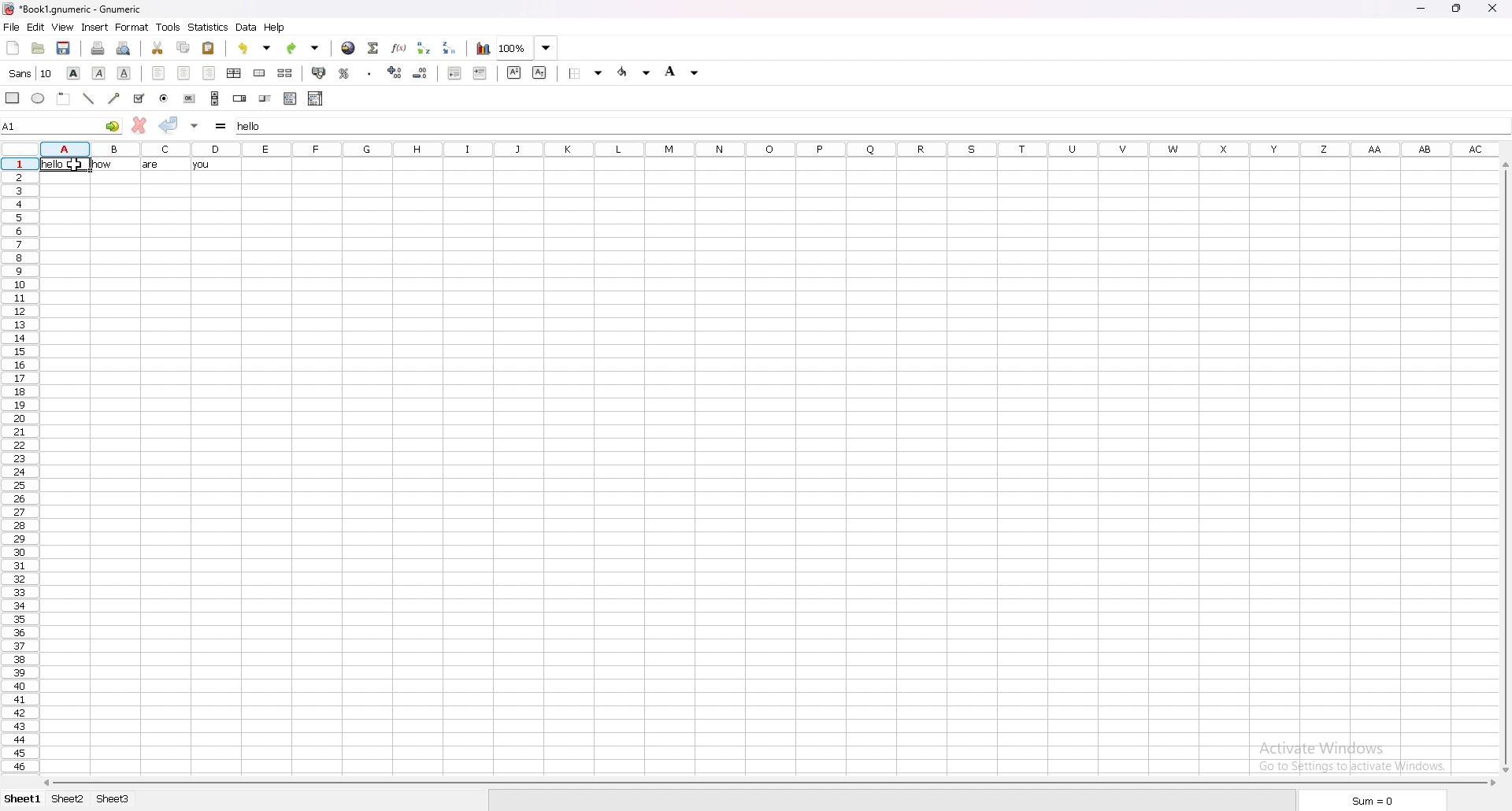 The image size is (1512, 811). What do you see at coordinates (190, 98) in the screenshot?
I see `button` at bounding box center [190, 98].